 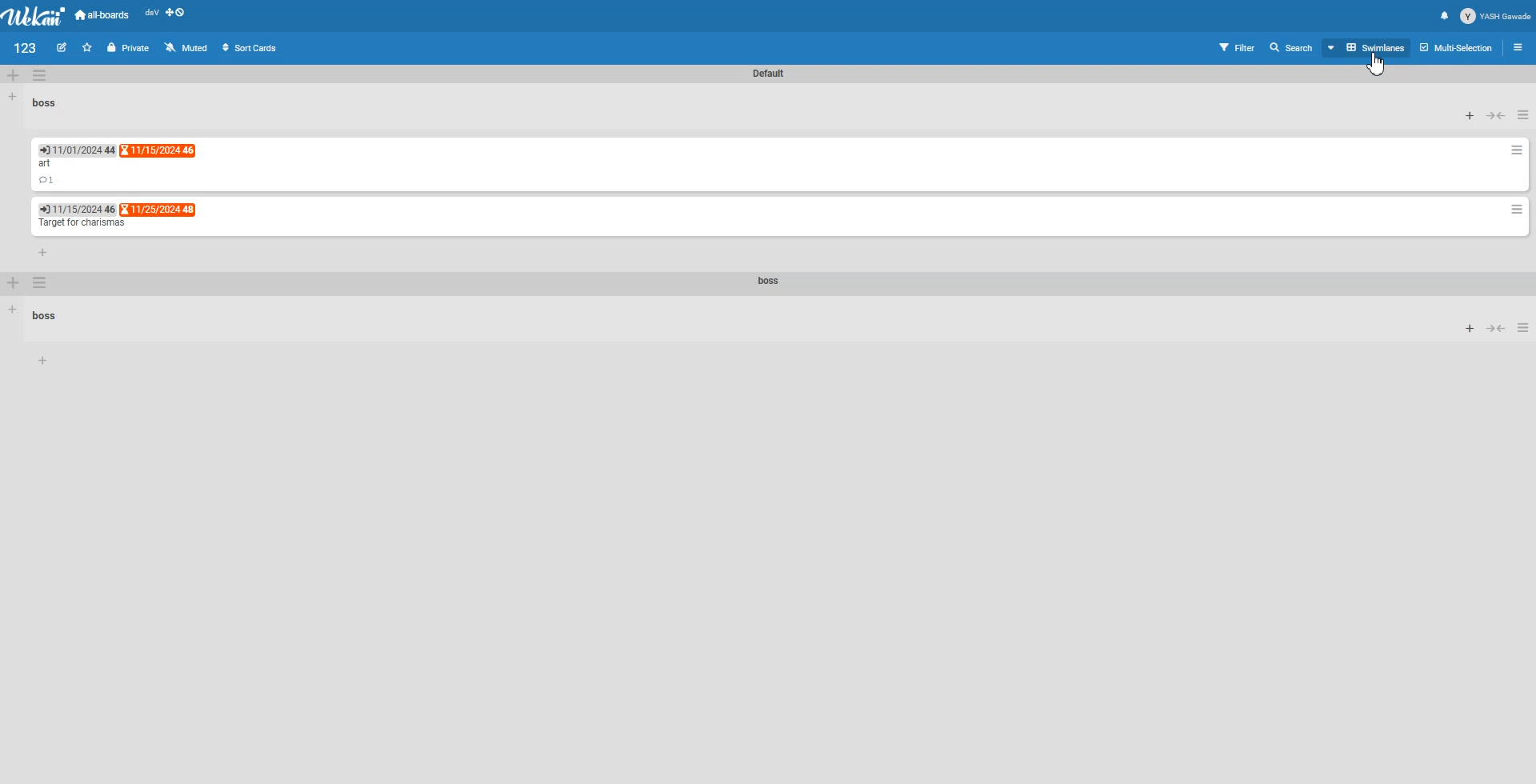 What do you see at coordinates (41, 283) in the screenshot?
I see `Swimlane Action` at bounding box center [41, 283].